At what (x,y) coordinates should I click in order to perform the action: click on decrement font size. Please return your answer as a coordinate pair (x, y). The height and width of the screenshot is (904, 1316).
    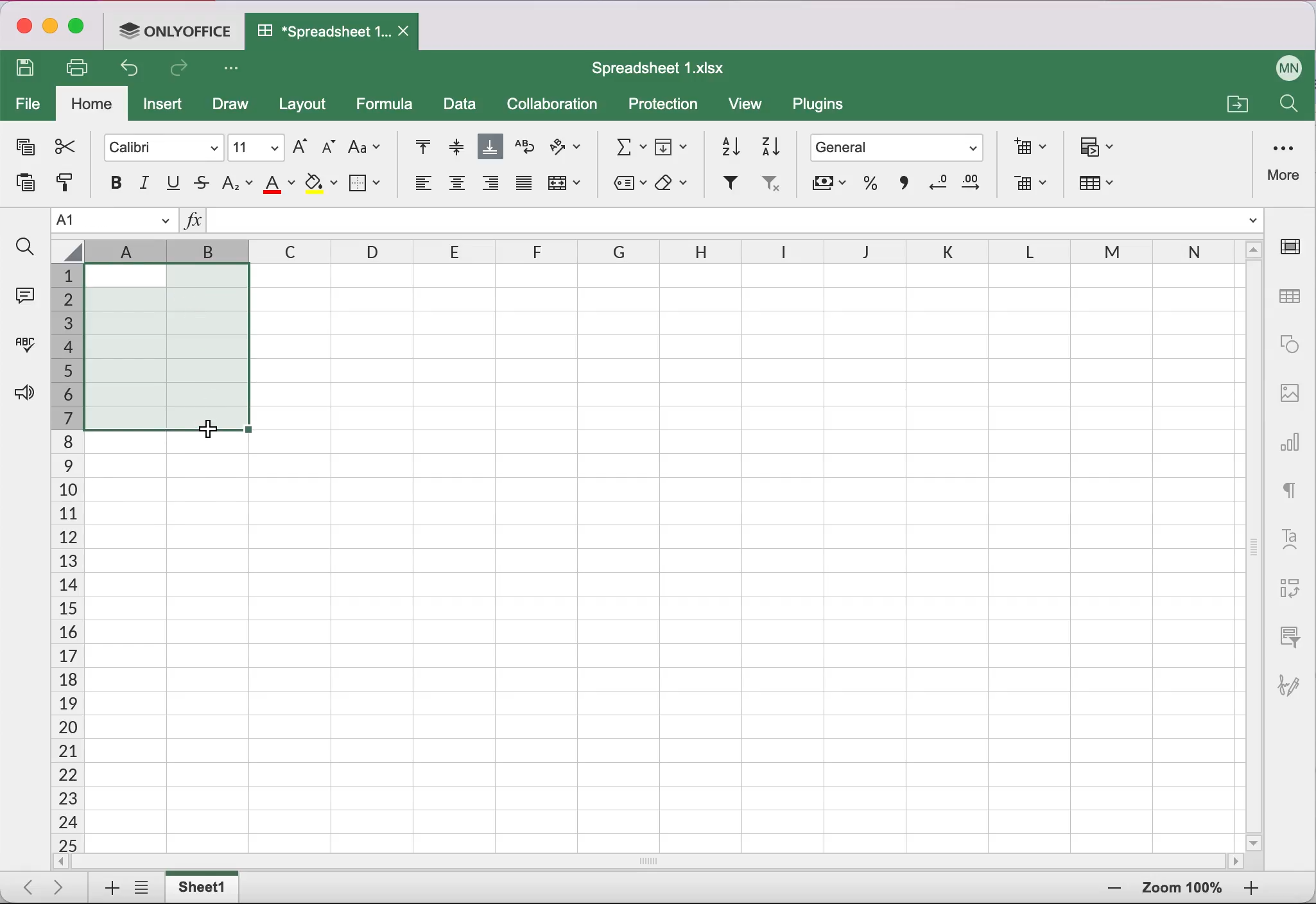
    Looking at the image, I should click on (327, 148).